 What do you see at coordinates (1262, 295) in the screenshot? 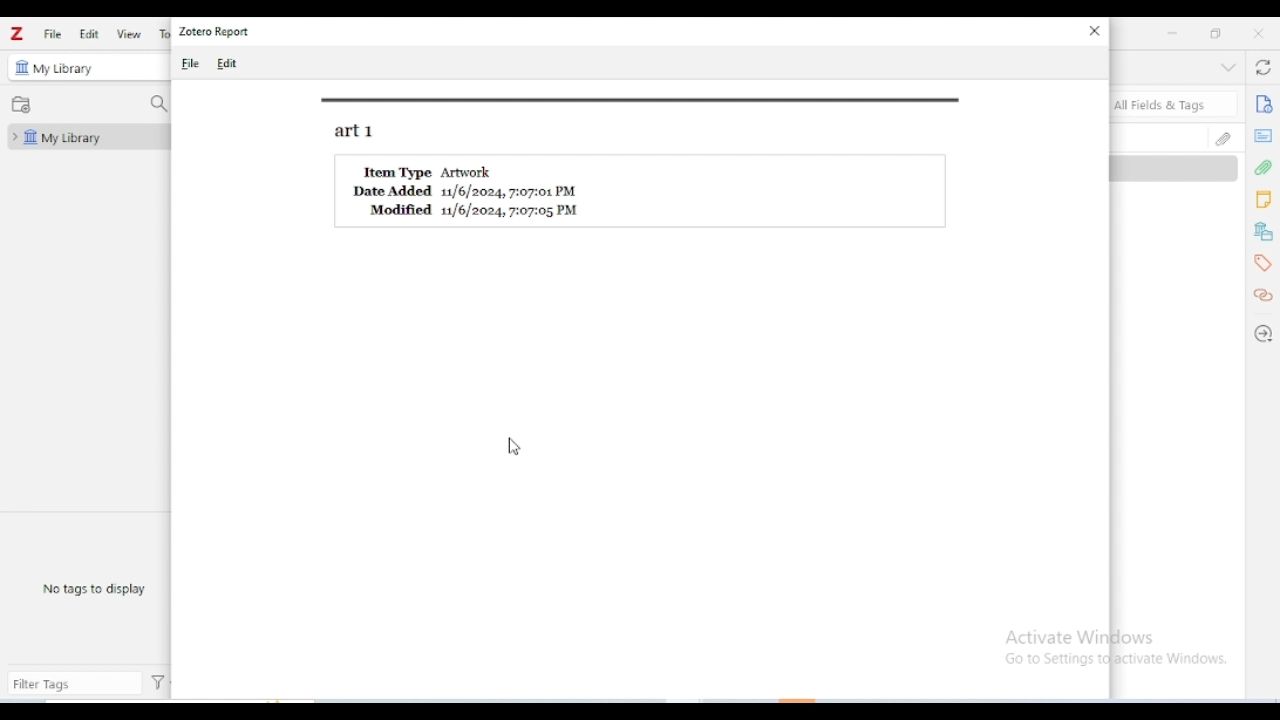
I see `related` at bounding box center [1262, 295].